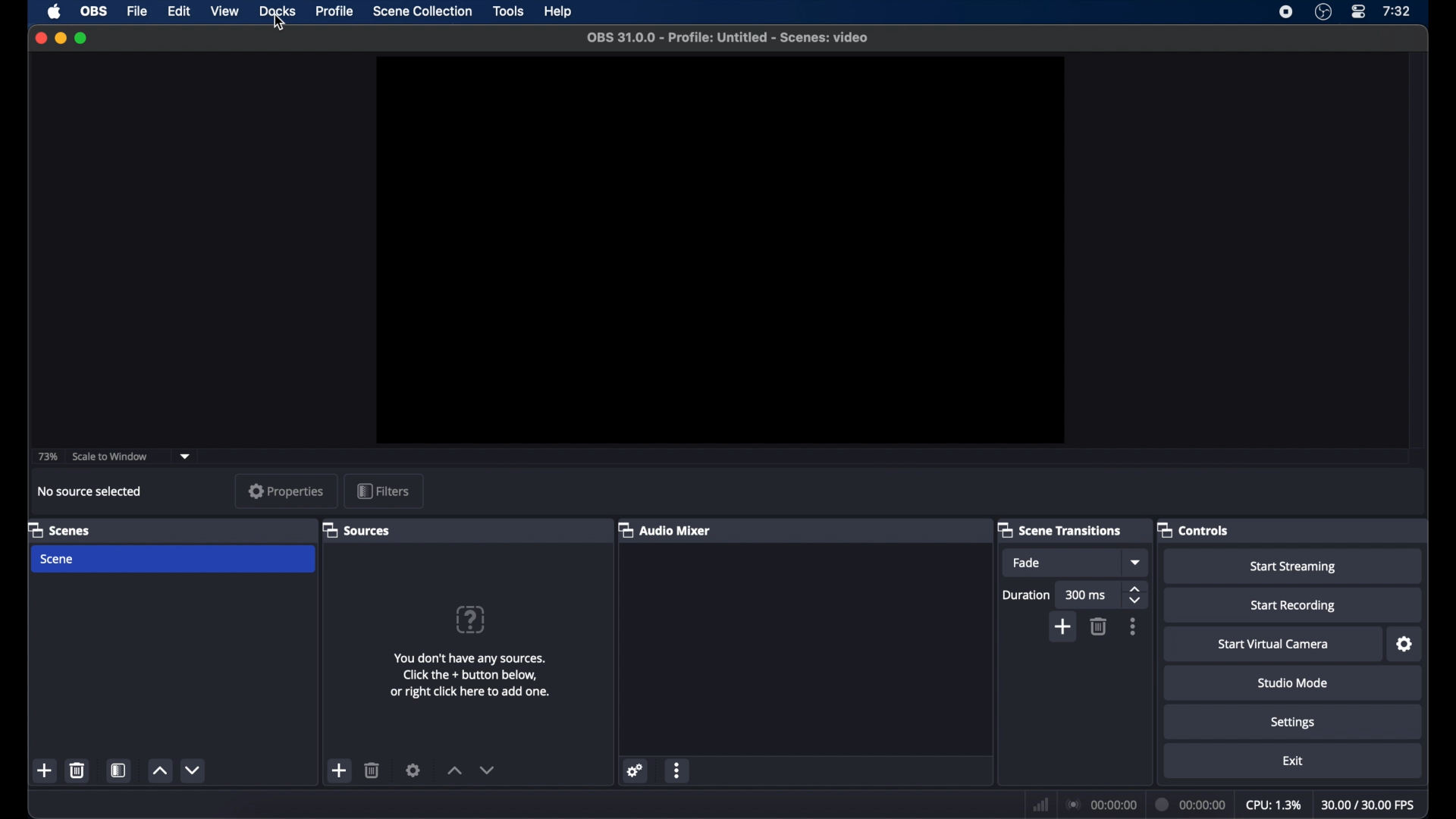 This screenshot has width=1456, height=819. What do you see at coordinates (455, 771) in the screenshot?
I see `increment` at bounding box center [455, 771].